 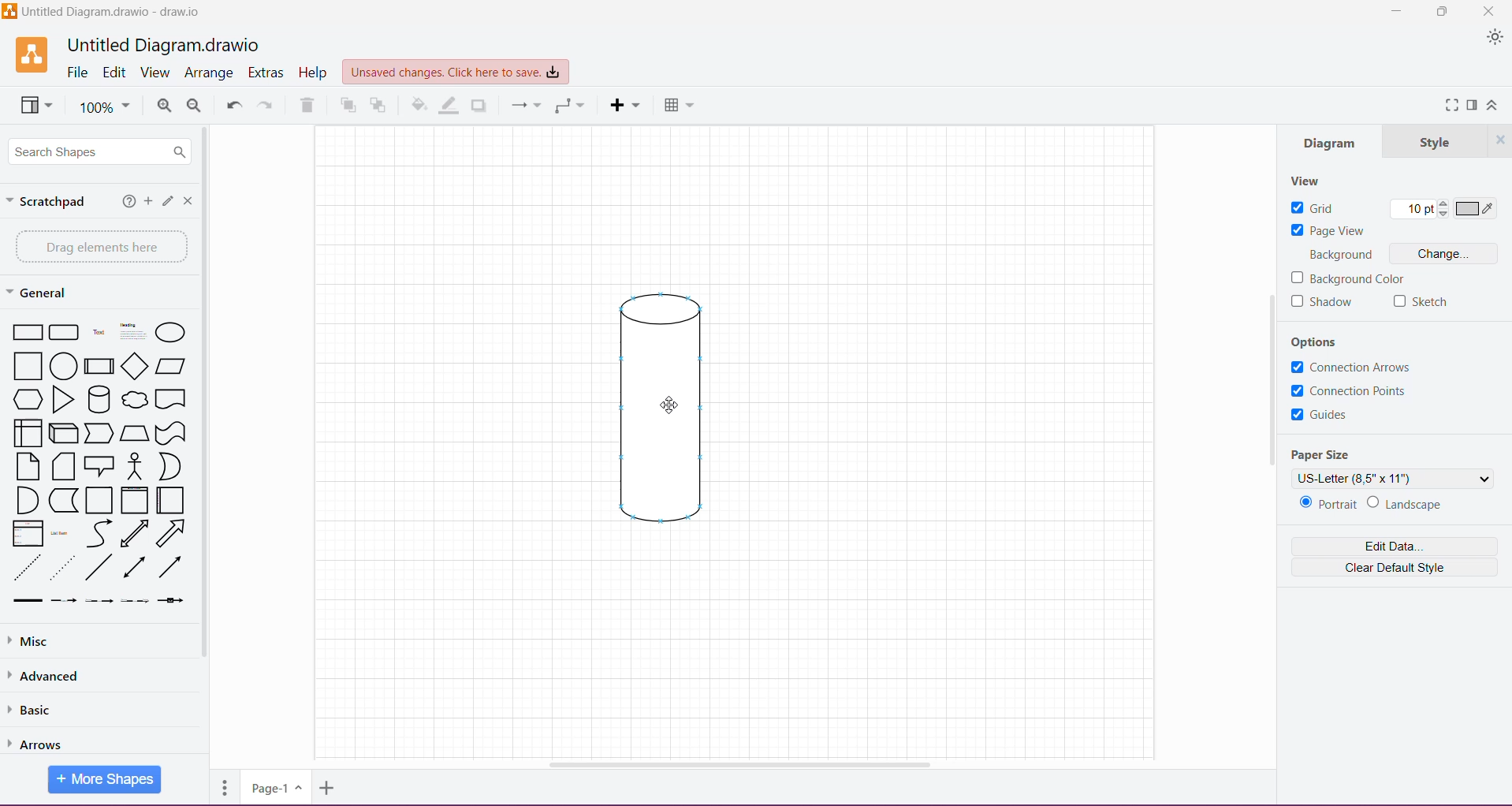 I want to click on Portrait, so click(x=1327, y=504).